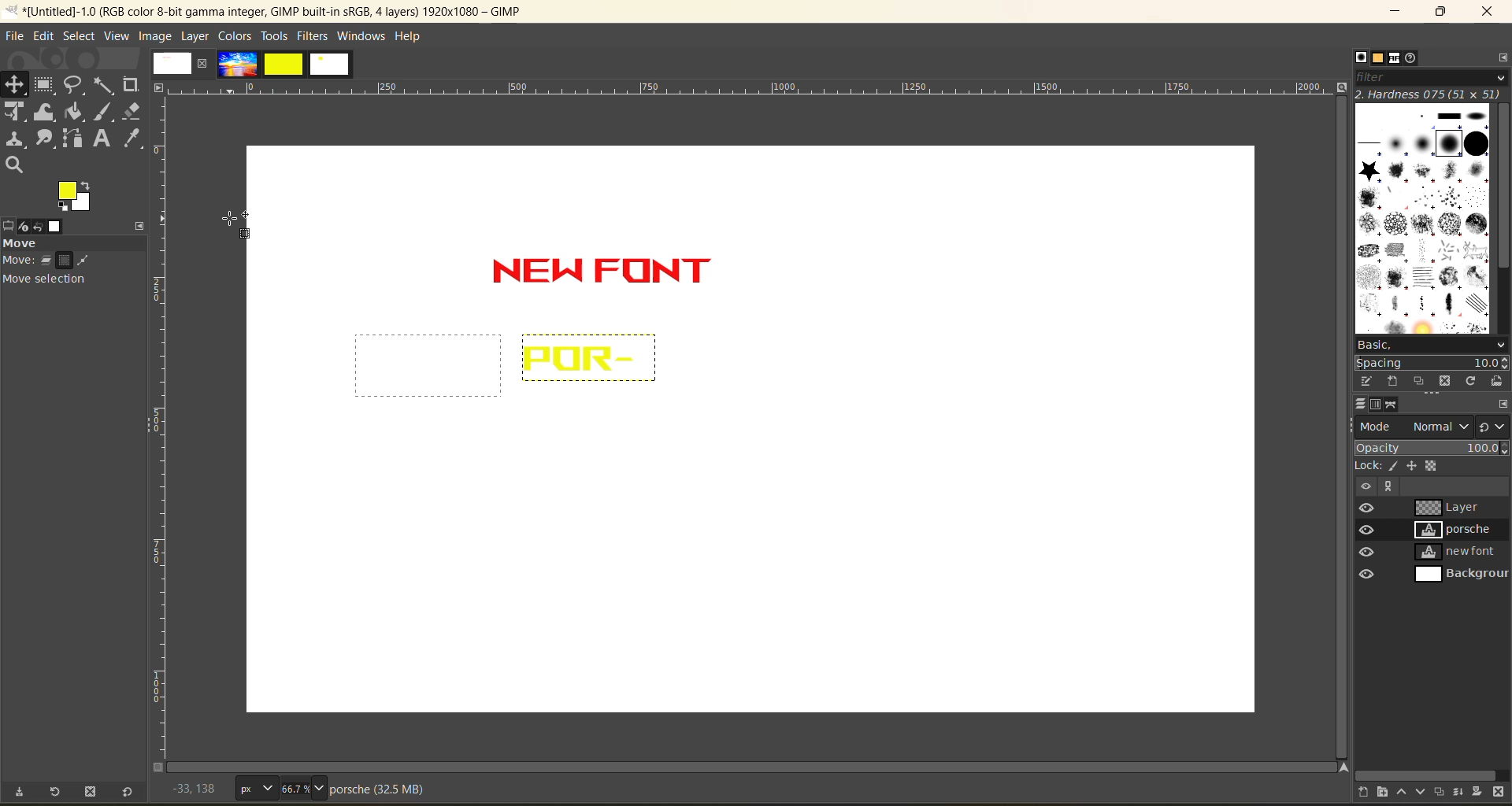 This screenshot has height=806, width=1512. I want to click on filter, so click(1431, 76).